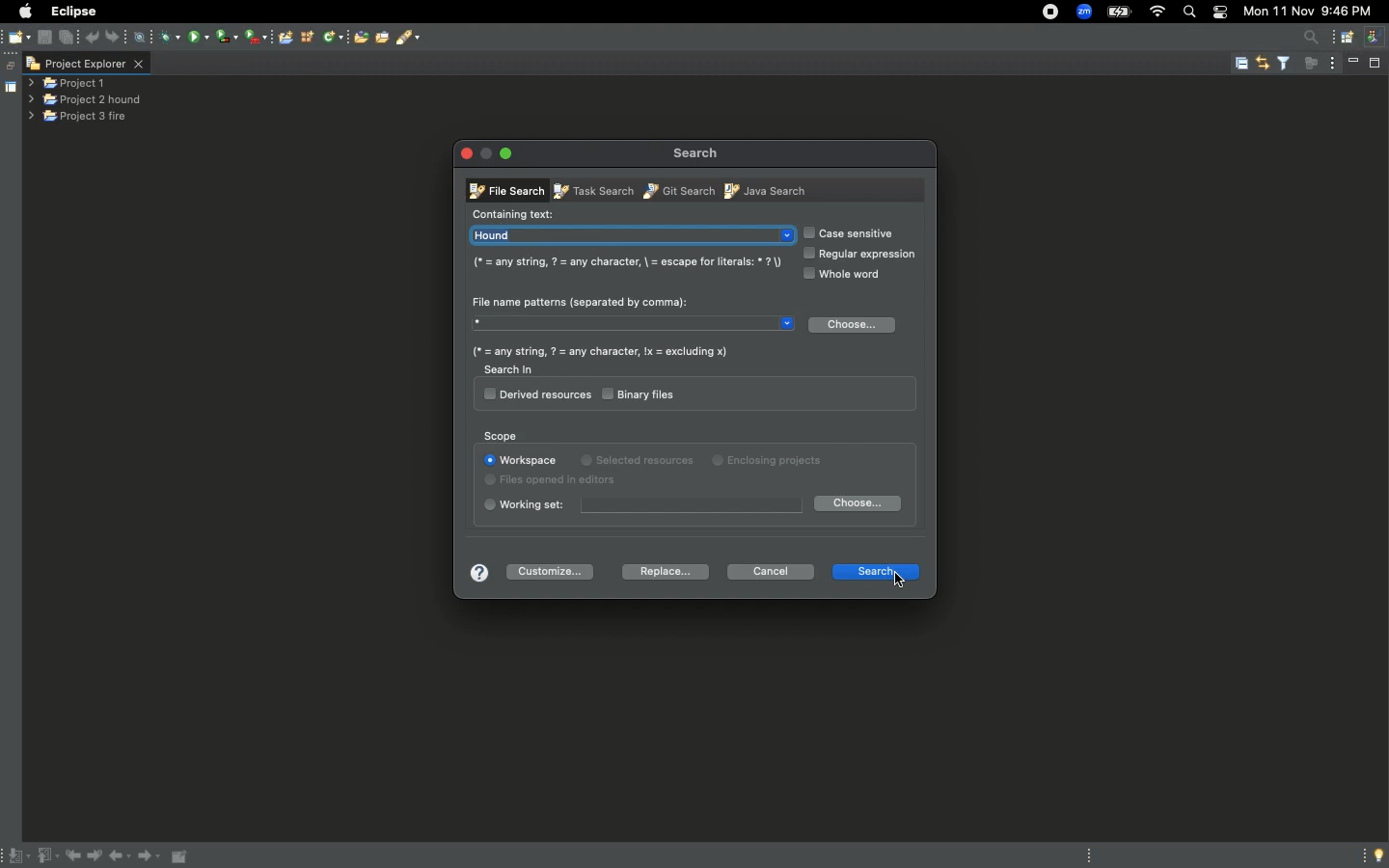 Image resolution: width=1389 pixels, height=868 pixels. Describe the element at coordinates (600, 351) in the screenshot. I see `(* = any string, ? = any character, Ix = excluding x)` at that location.